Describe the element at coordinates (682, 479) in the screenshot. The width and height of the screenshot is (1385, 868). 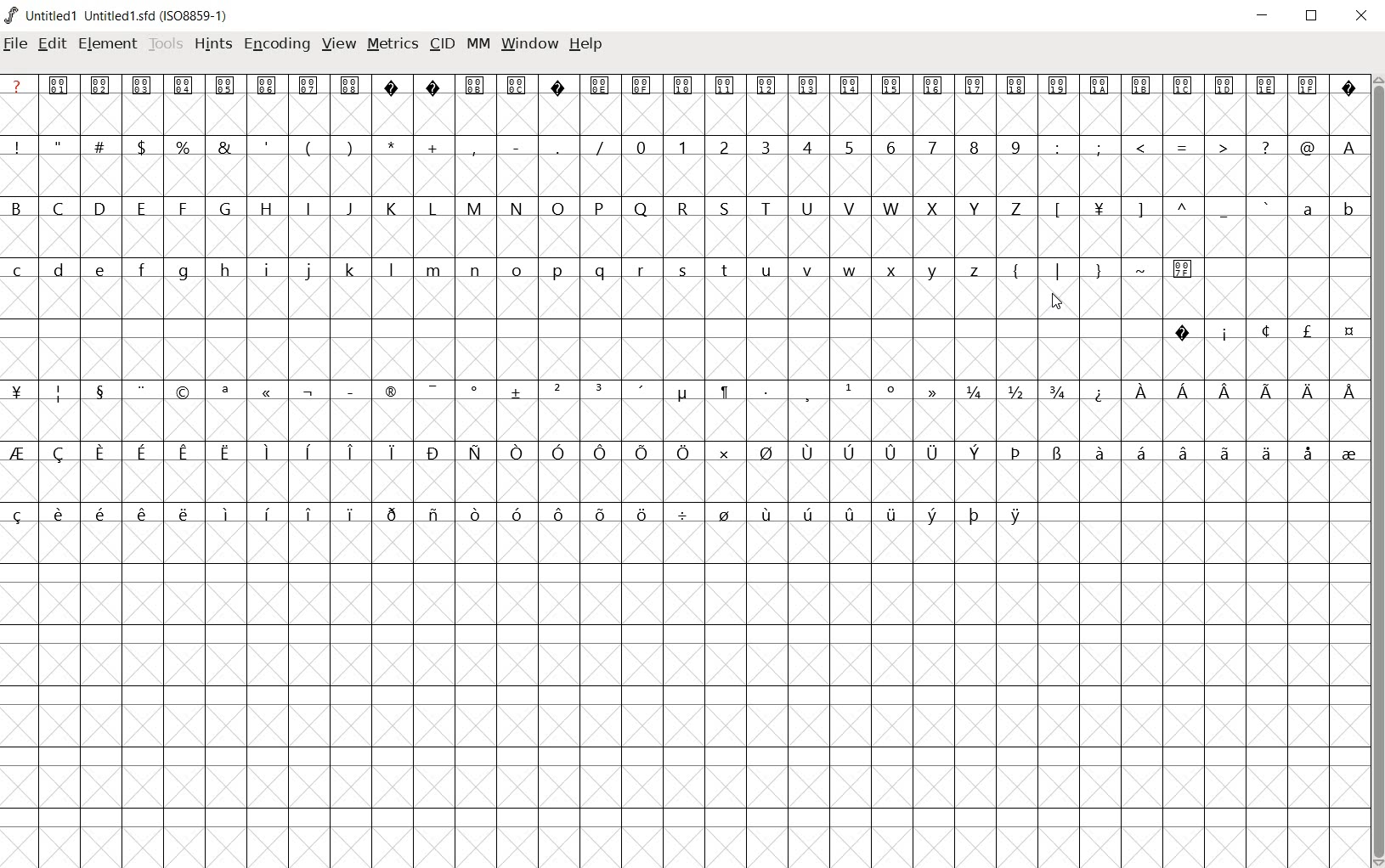
I see `empty cells` at that location.